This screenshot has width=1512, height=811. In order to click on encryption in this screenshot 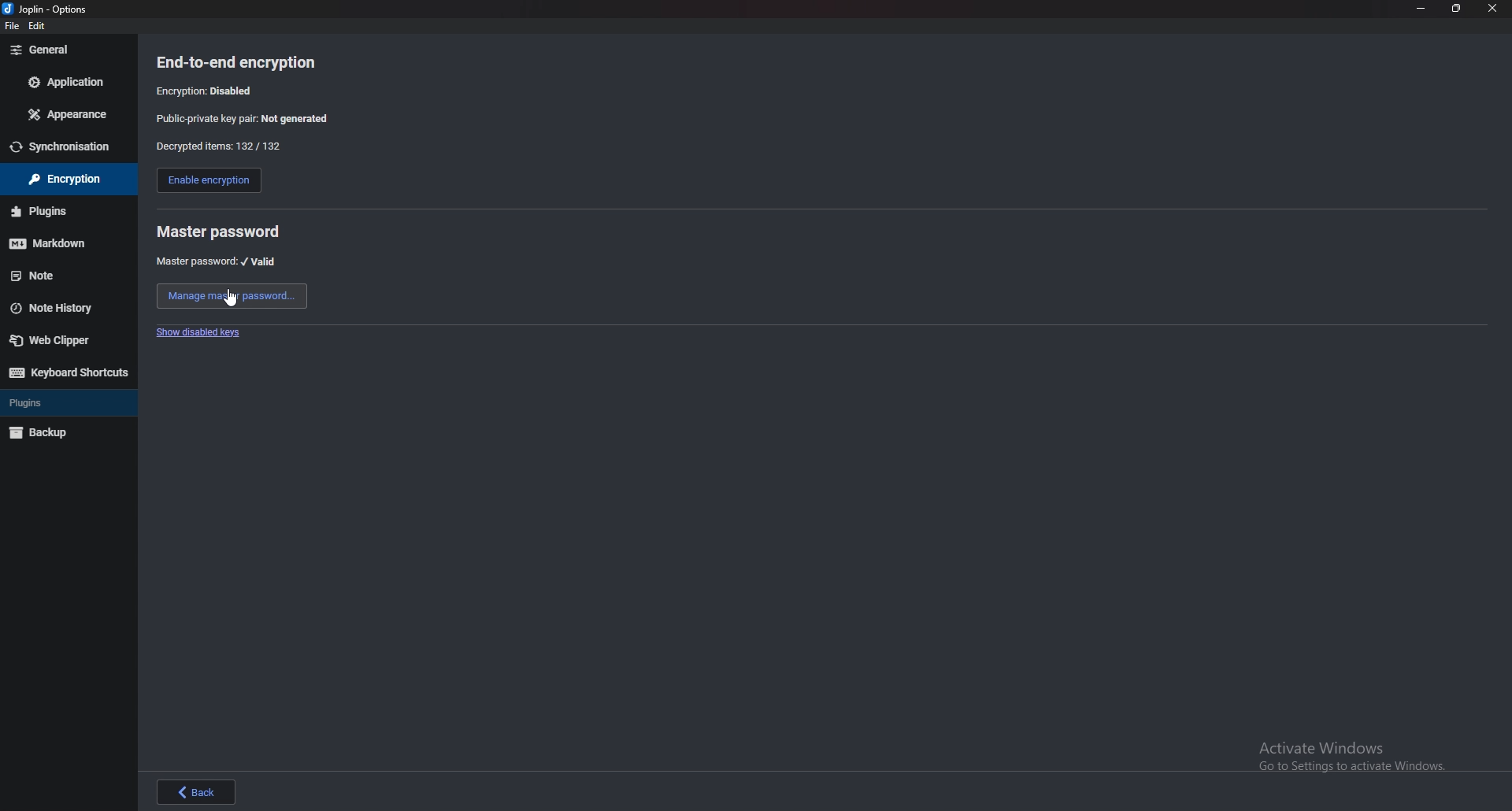, I will do `click(209, 90)`.